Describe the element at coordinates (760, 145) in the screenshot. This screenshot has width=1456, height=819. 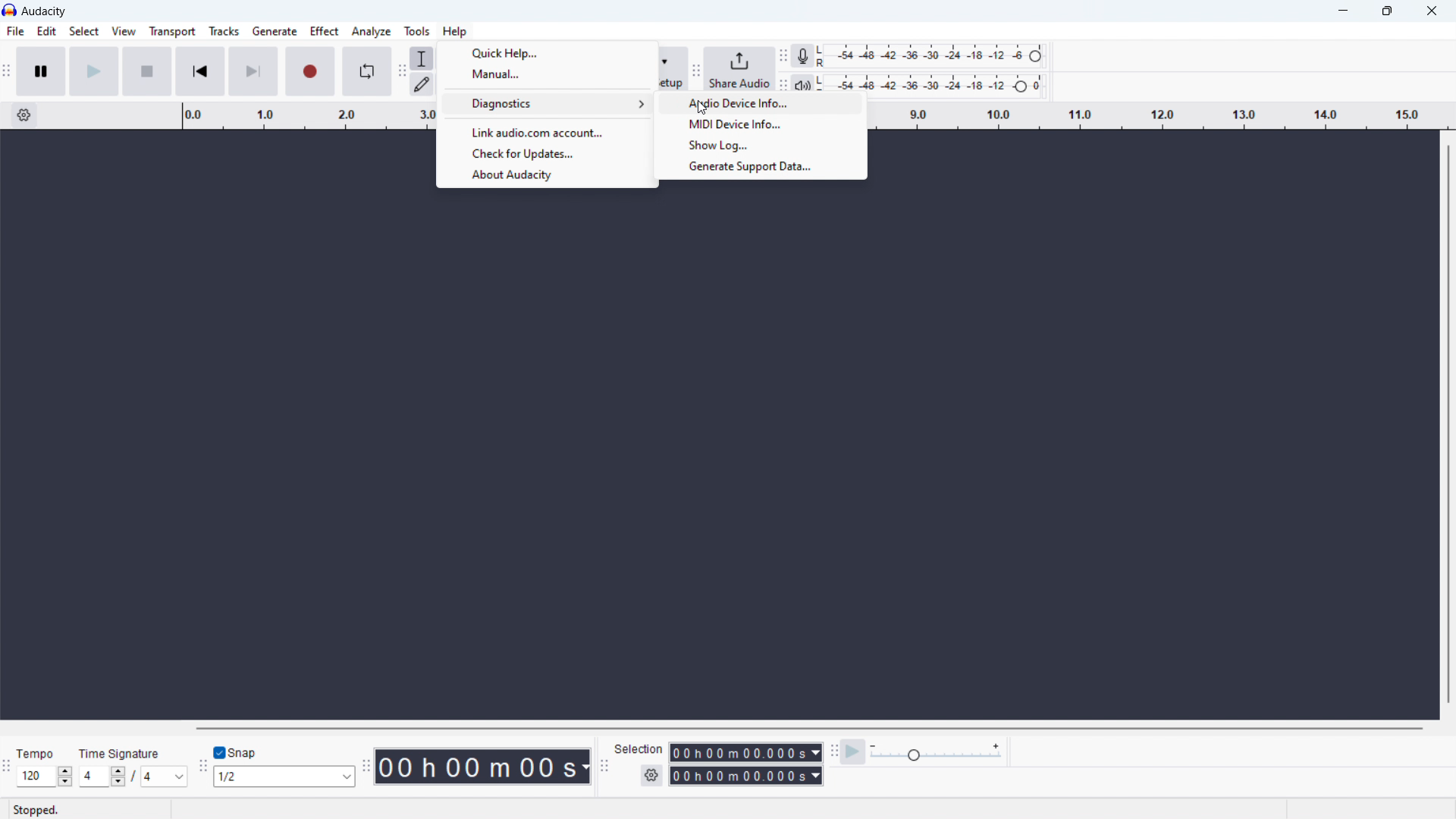
I see `show log` at that location.